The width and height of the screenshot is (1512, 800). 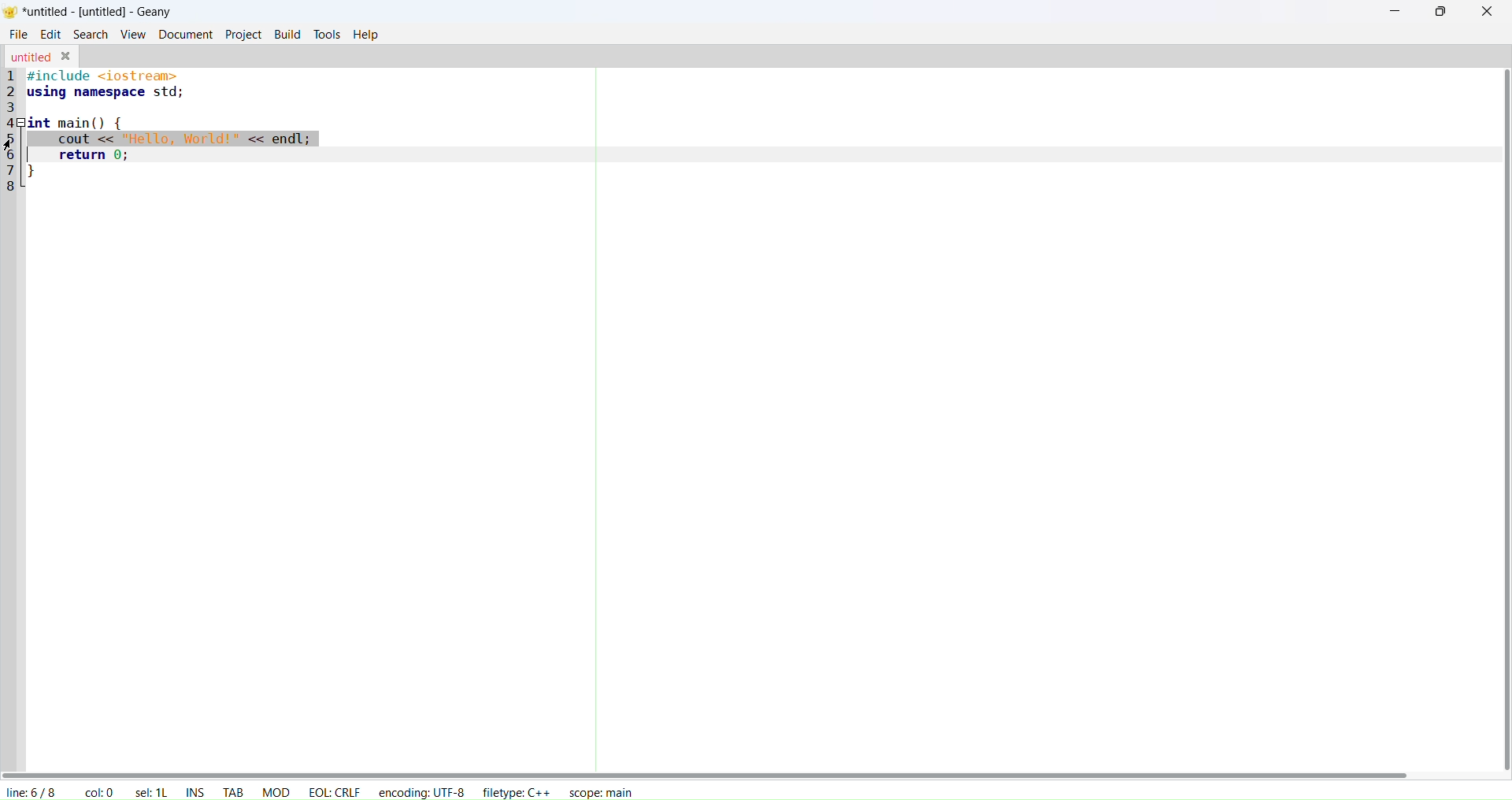 I want to click on edit, so click(x=53, y=33).